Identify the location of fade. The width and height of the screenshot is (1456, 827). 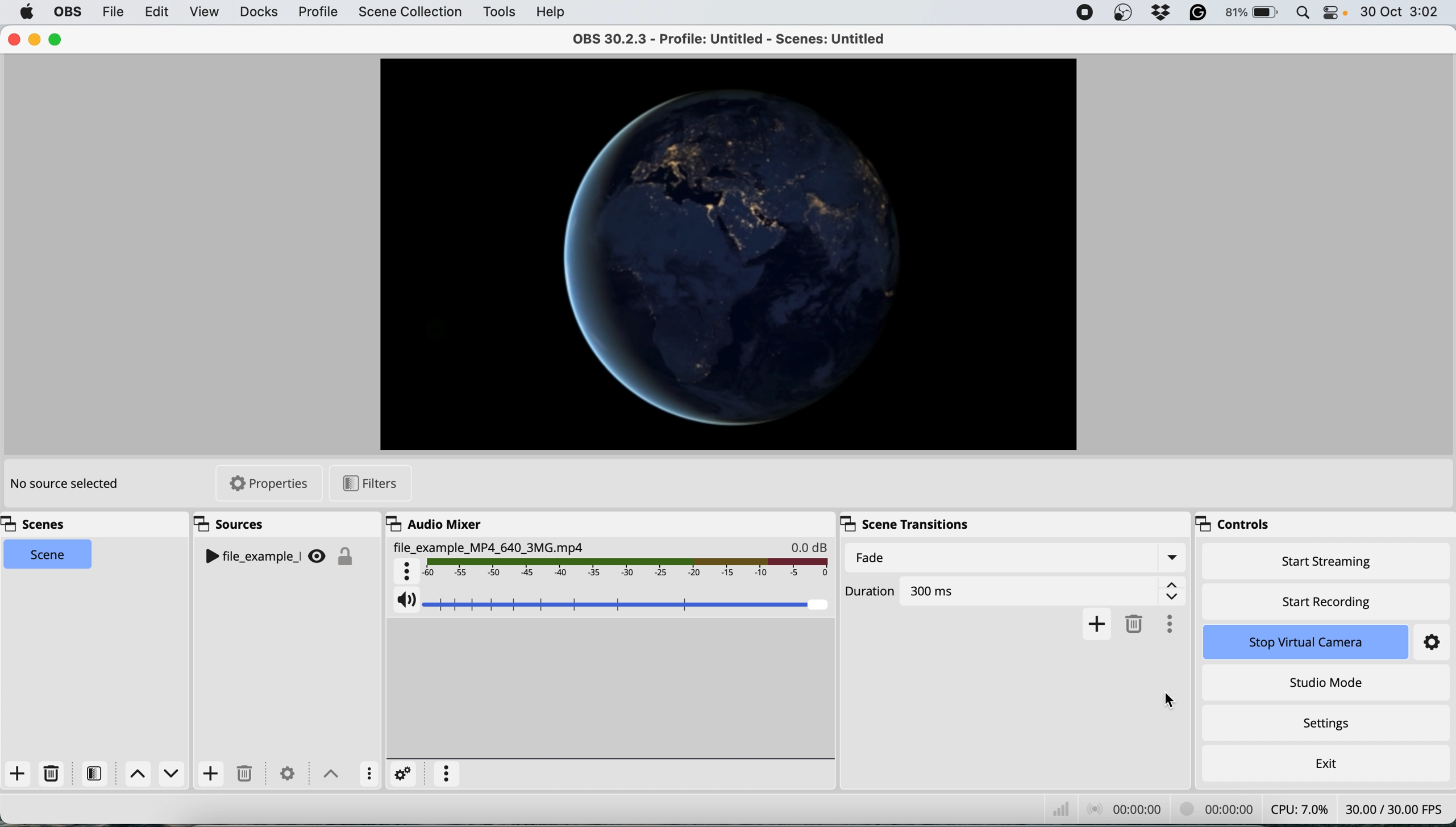
(1017, 557).